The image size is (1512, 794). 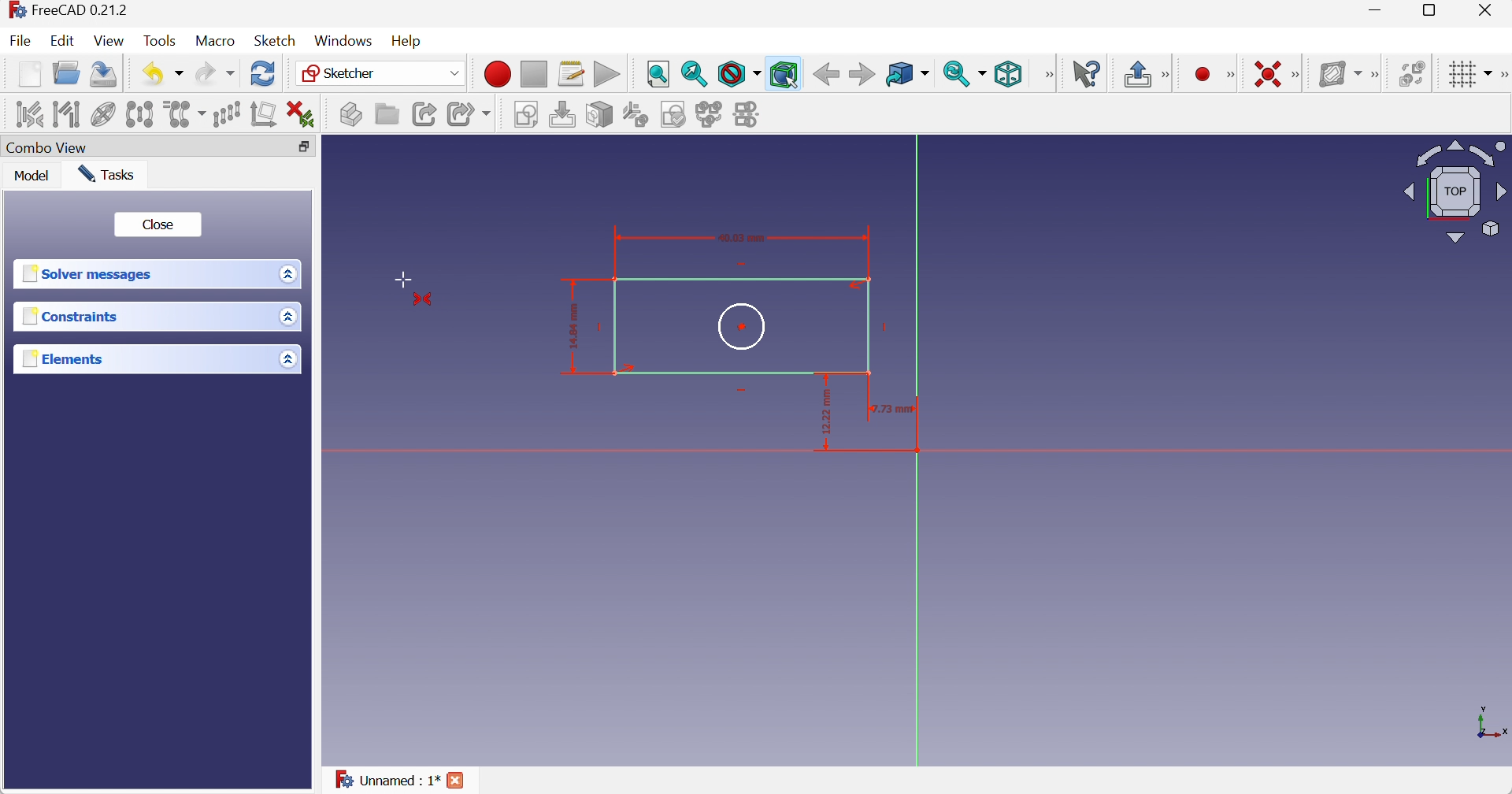 I want to click on Mirror sketch, so click(x=750, y=116).